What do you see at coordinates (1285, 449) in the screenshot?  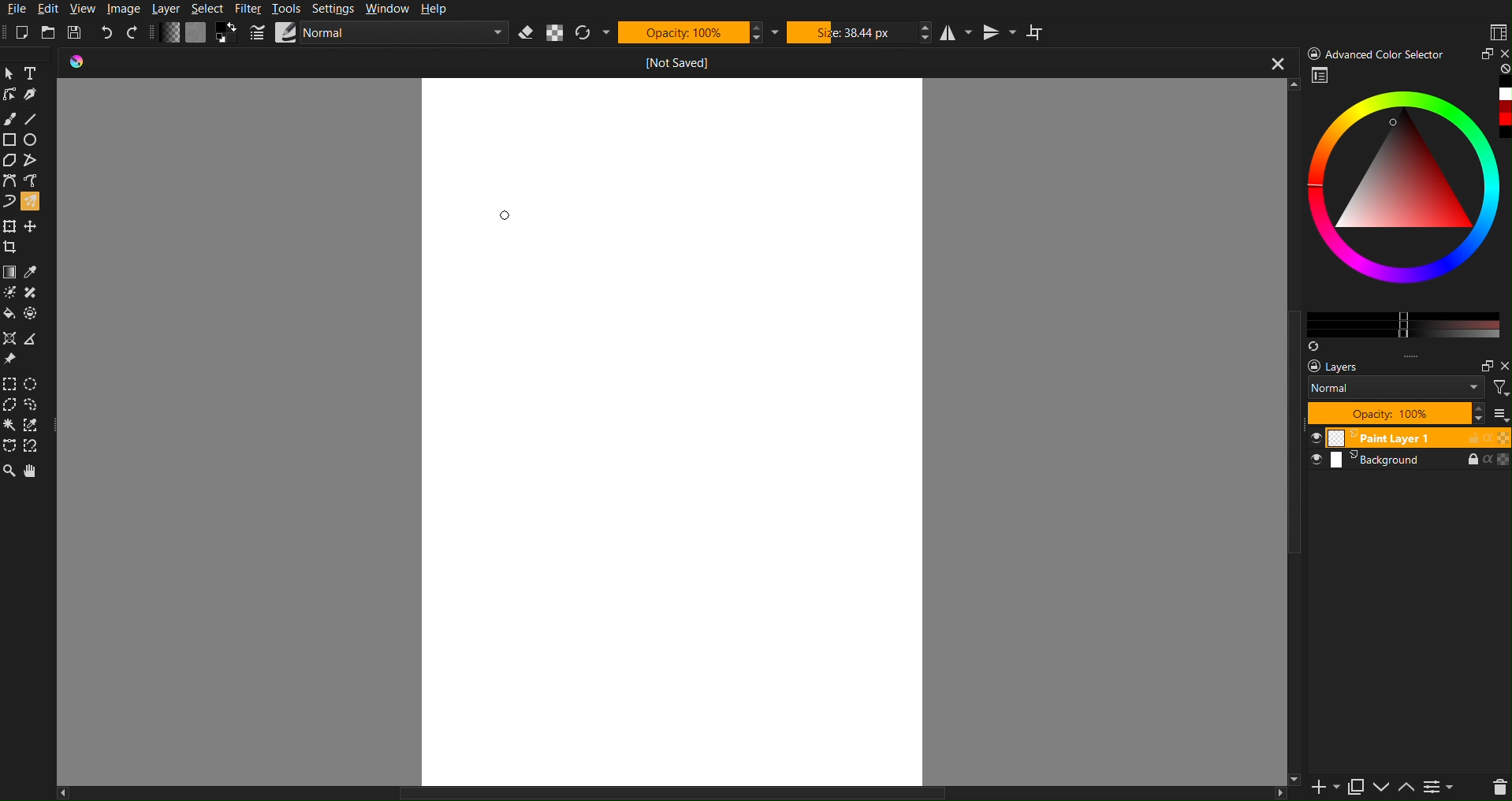 I see `Vertical Scrol bar` at bounding box center [1285, 449].